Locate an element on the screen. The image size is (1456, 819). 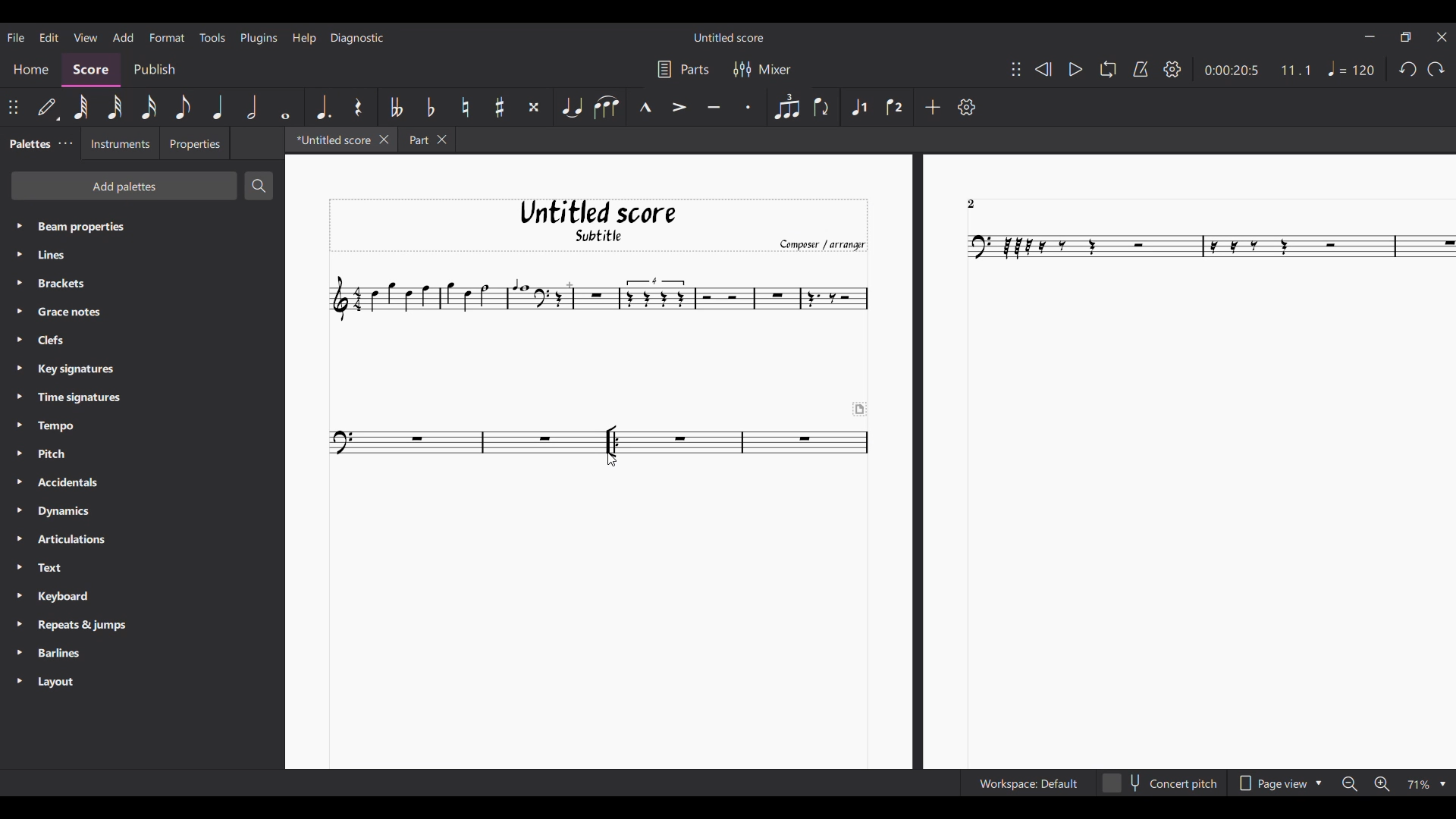
Page view options is located at coordinates (1280, 784).